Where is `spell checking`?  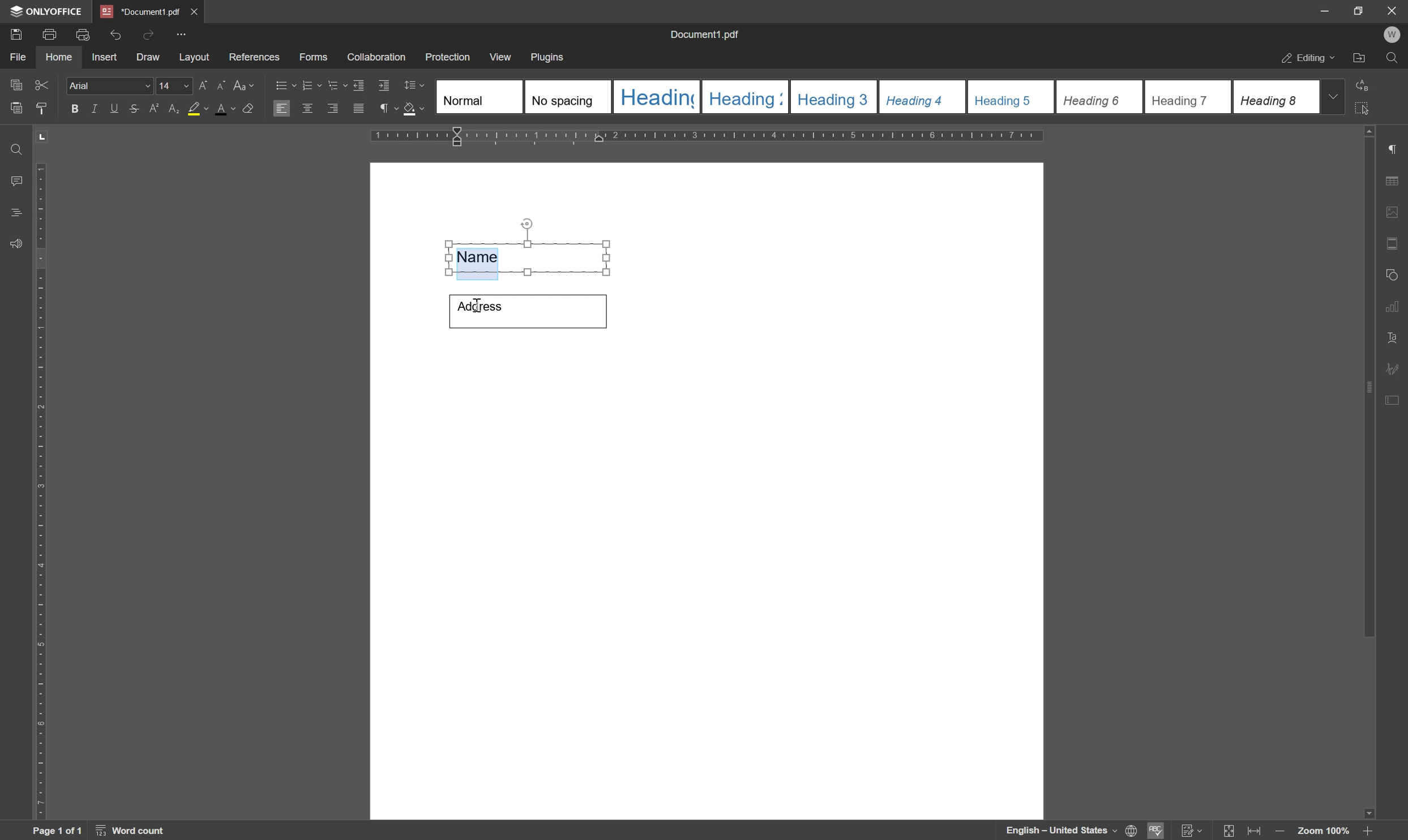 spell checking is located at coordinates (1157, 830).